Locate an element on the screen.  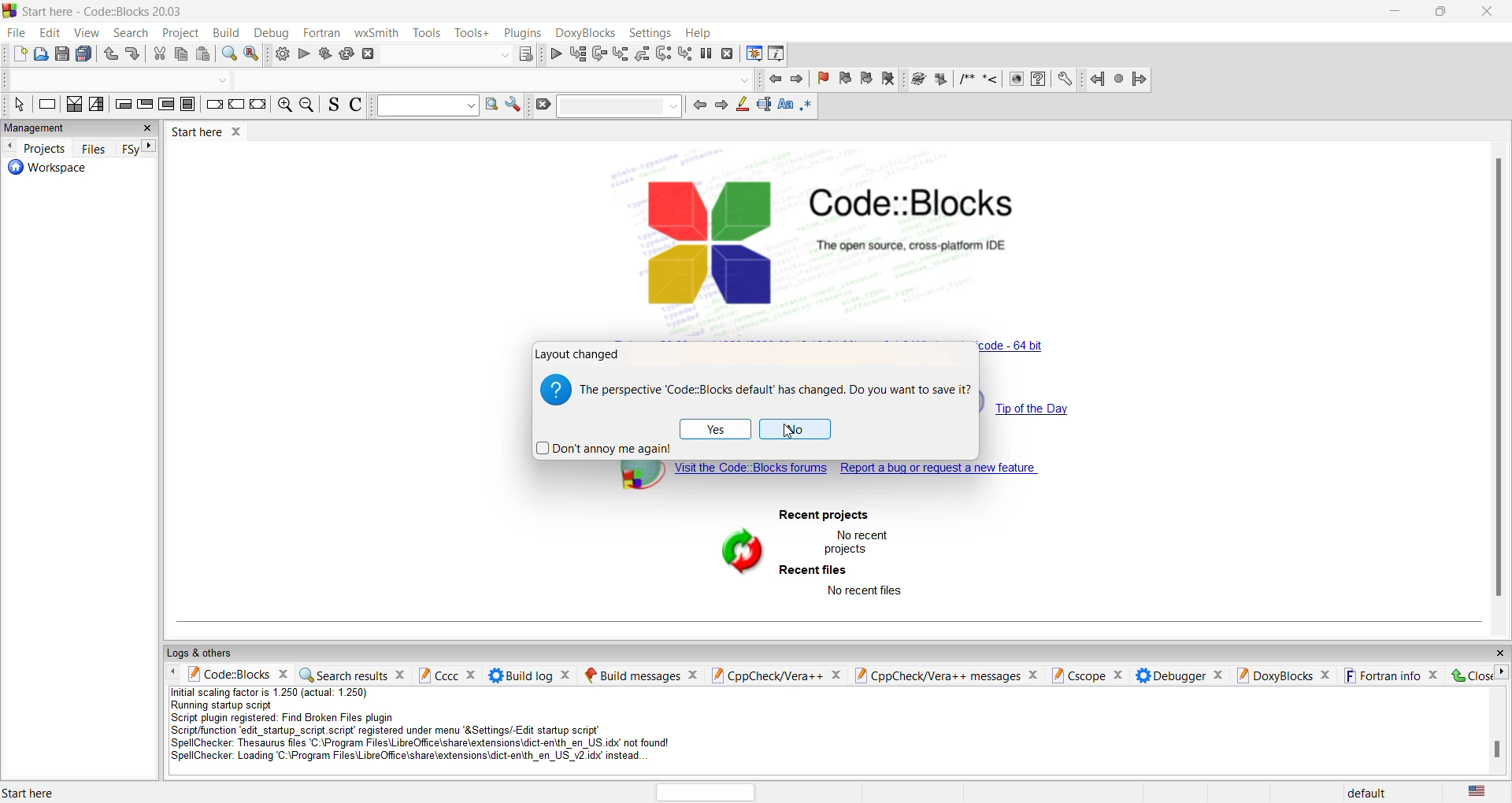
close is located at coordinates (1490, 13).